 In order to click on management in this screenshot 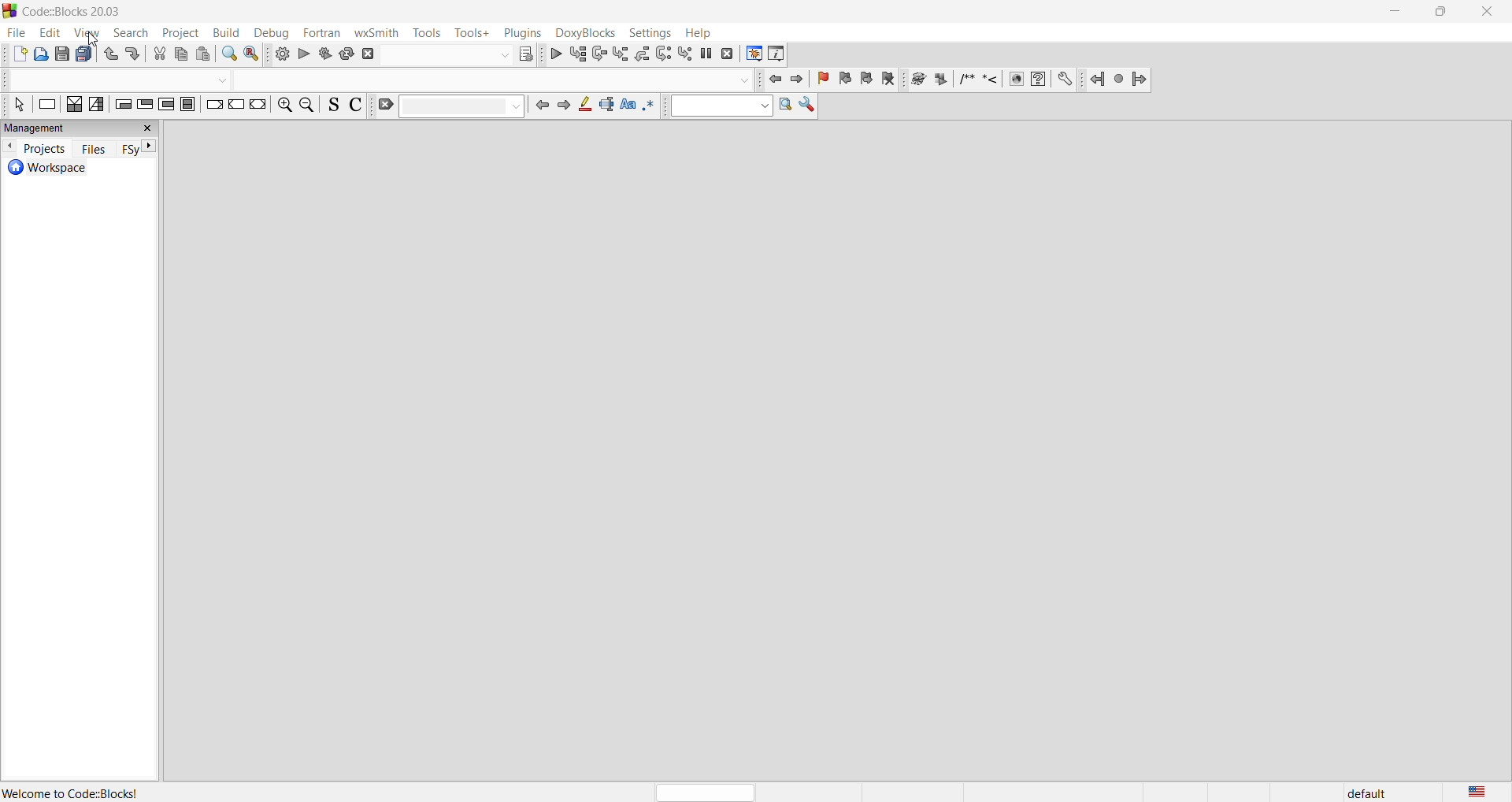, I will do `click(80, 128)`.